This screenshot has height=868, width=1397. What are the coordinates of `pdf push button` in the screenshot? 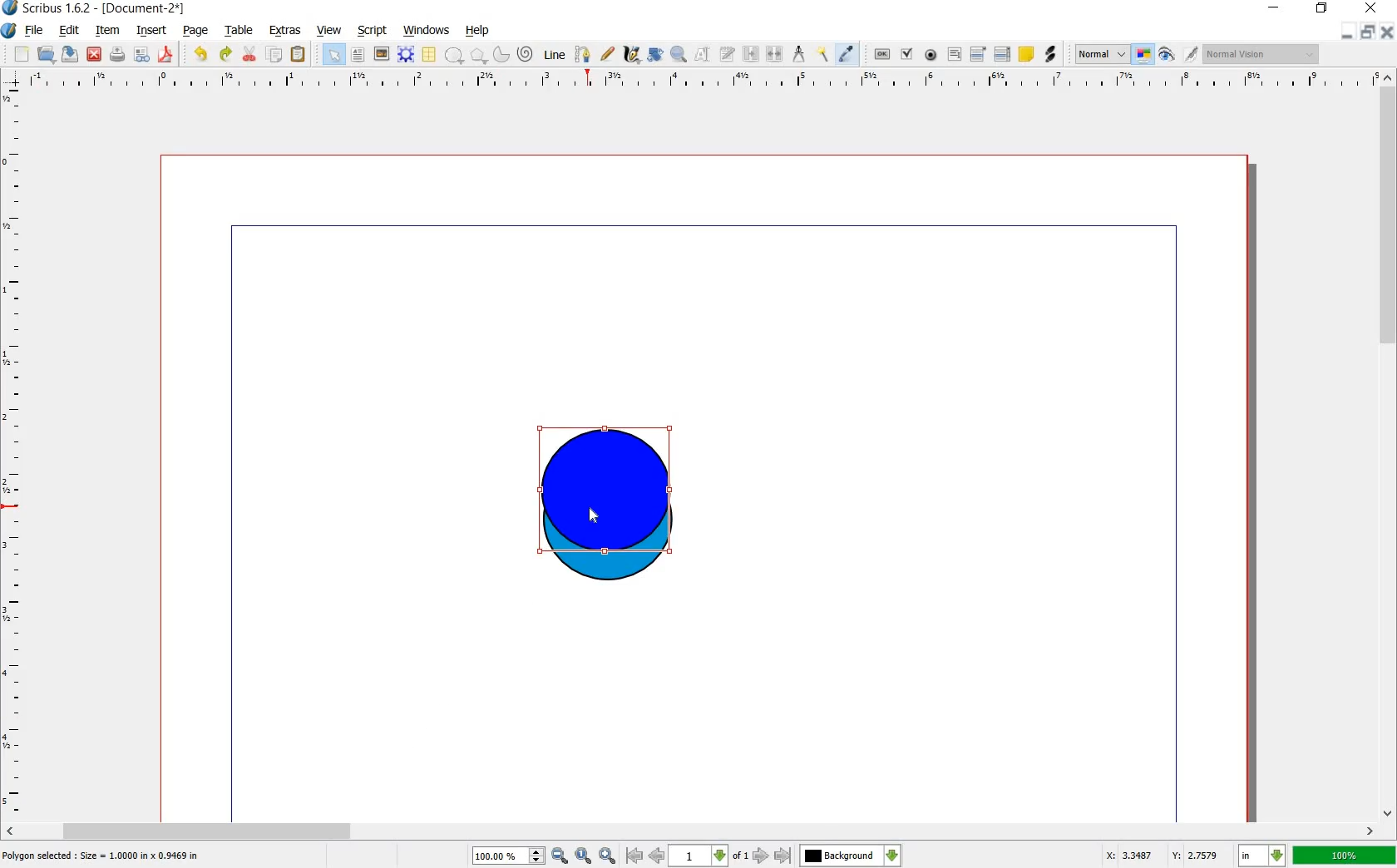 It's located at (881, 55).